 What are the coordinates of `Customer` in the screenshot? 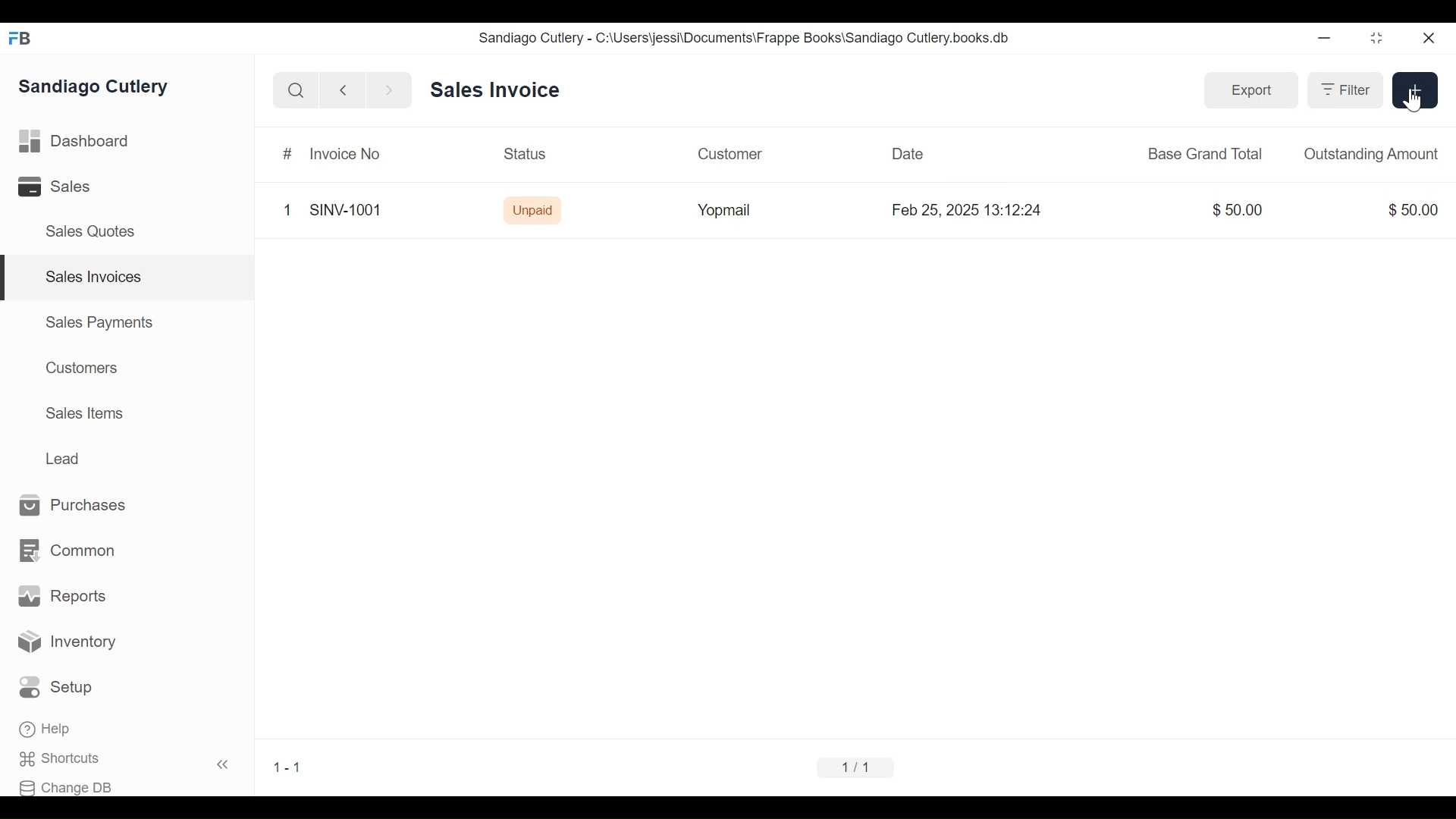 It's located at (731, 153).